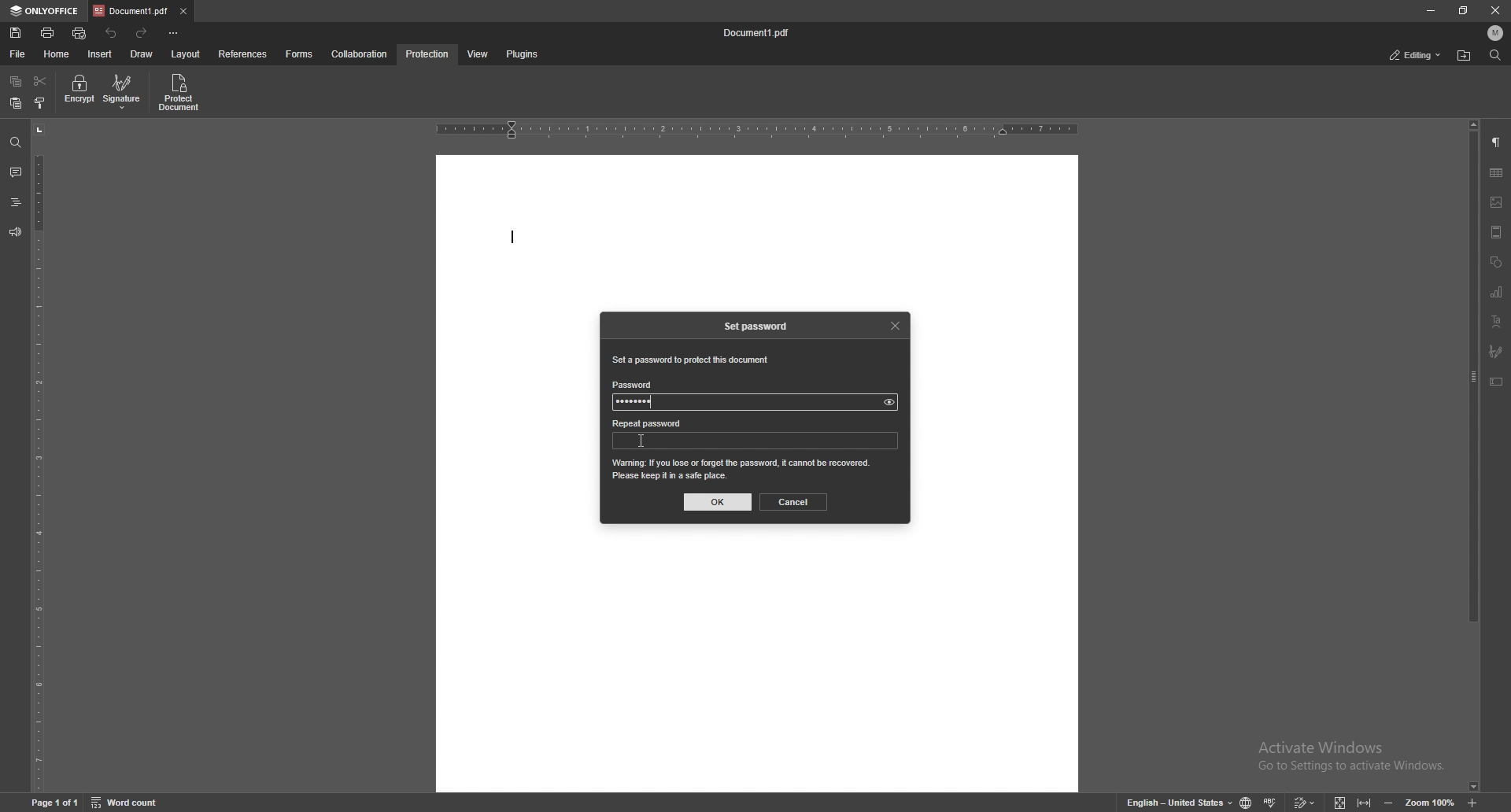 The image size is (1511, 812). What do you see at coordinates (1494, 55) in the screenshot?
I see `find` at bounding box center [1494, 55].